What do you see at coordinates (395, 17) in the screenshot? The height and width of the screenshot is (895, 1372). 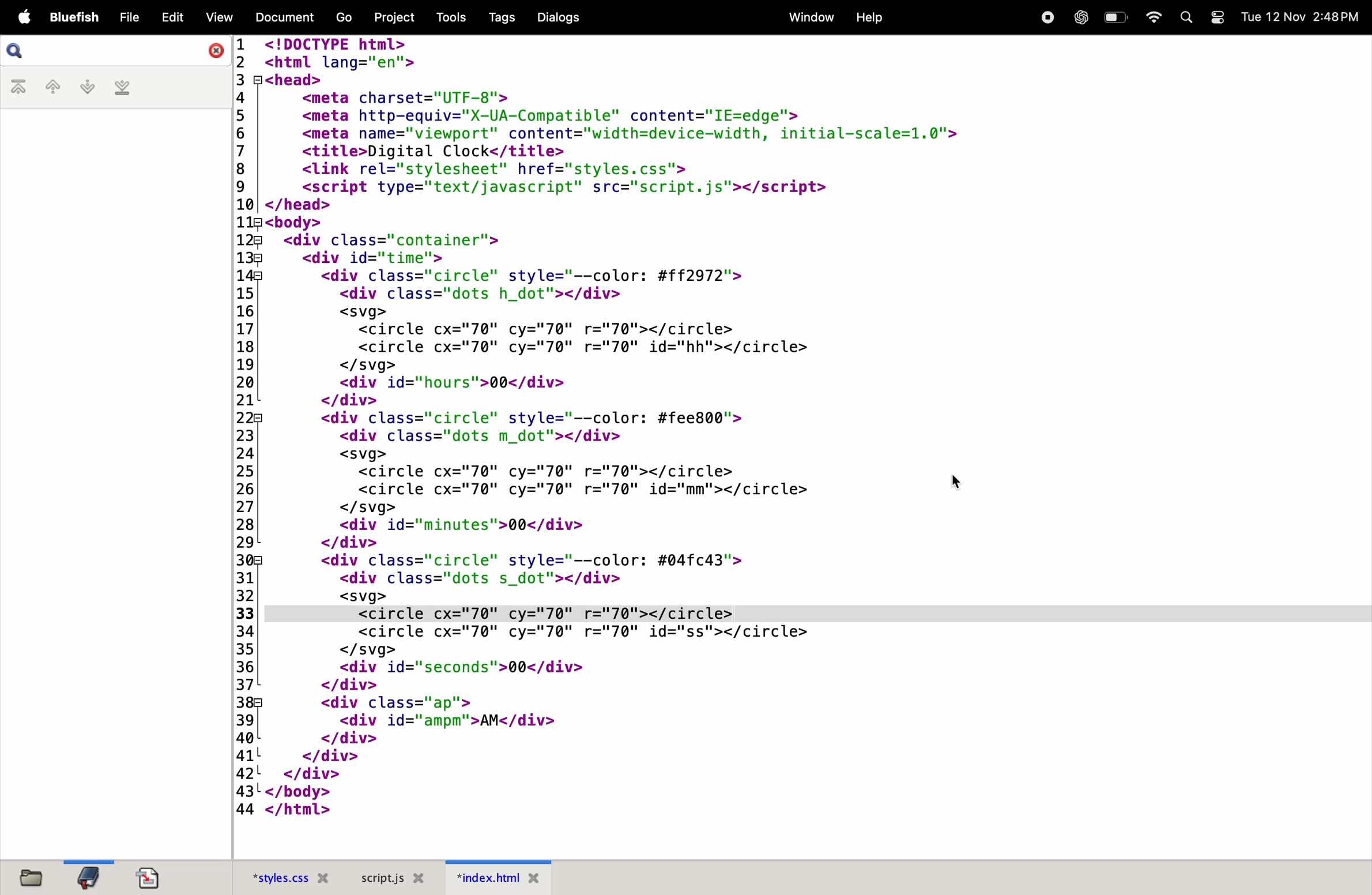 I see `projects` at bounding box center [395, 17].